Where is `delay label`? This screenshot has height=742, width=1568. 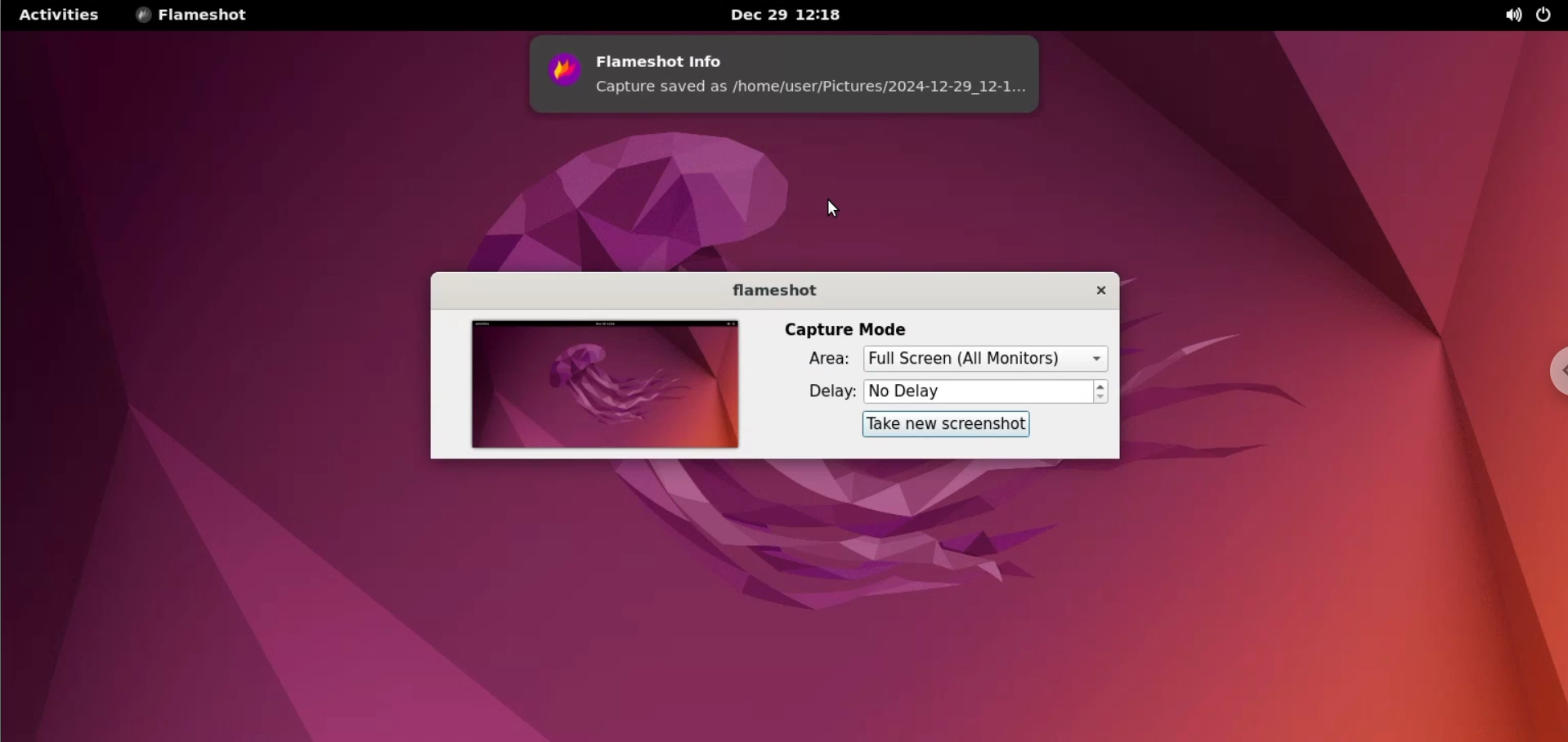
delay label is located at coordinates (822, 391).